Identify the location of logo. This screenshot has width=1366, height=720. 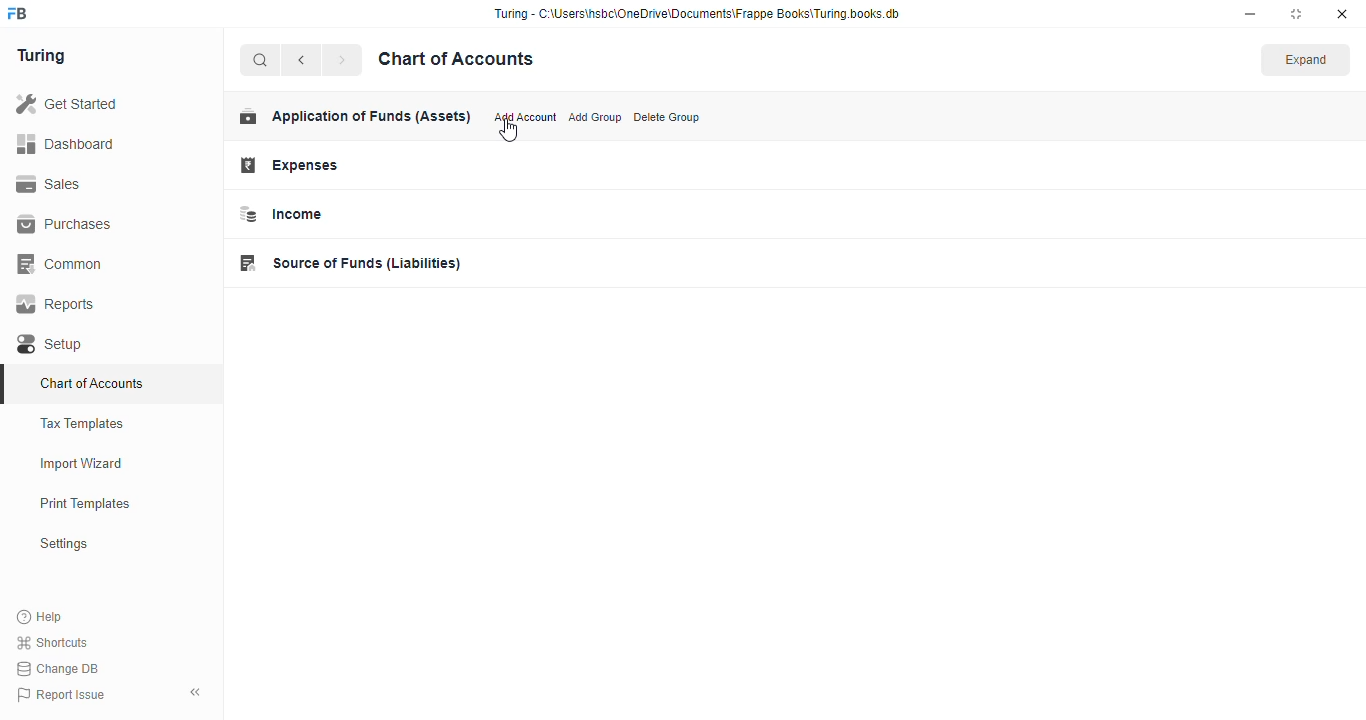
(18, 13).